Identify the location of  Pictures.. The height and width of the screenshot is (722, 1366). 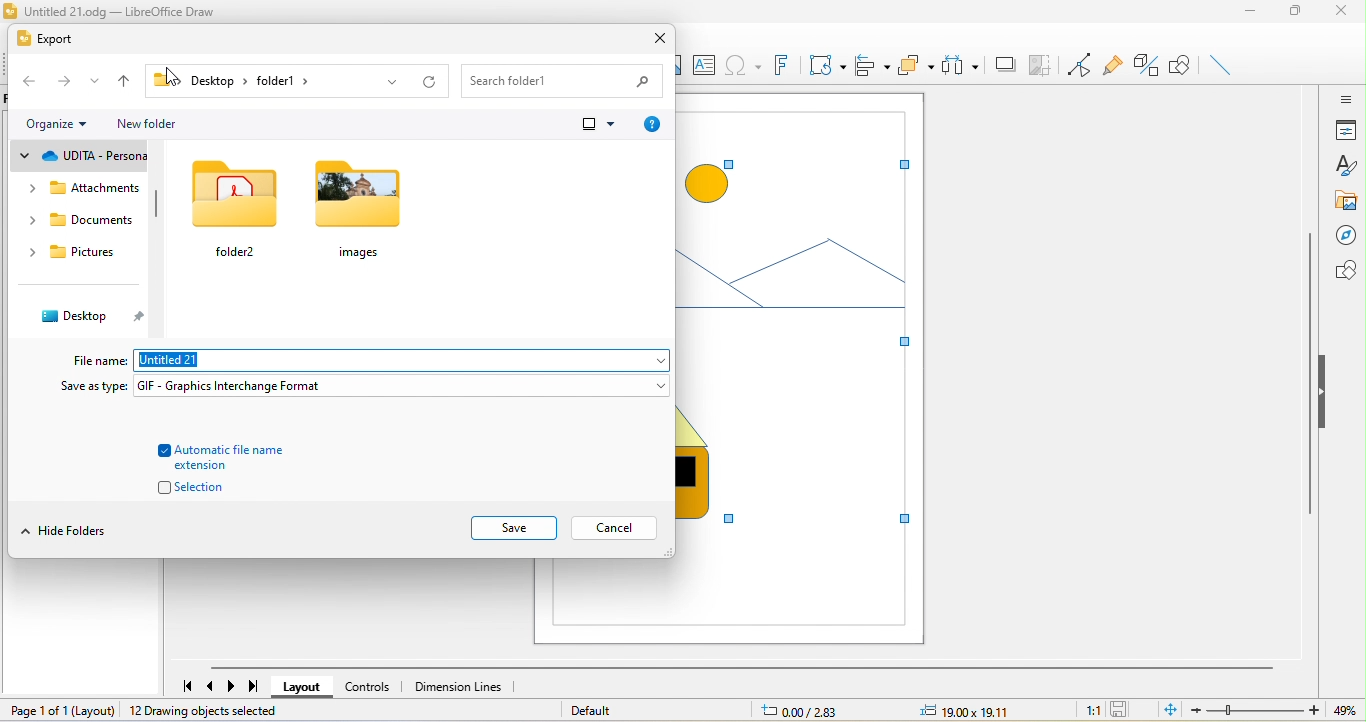
(78, 252).